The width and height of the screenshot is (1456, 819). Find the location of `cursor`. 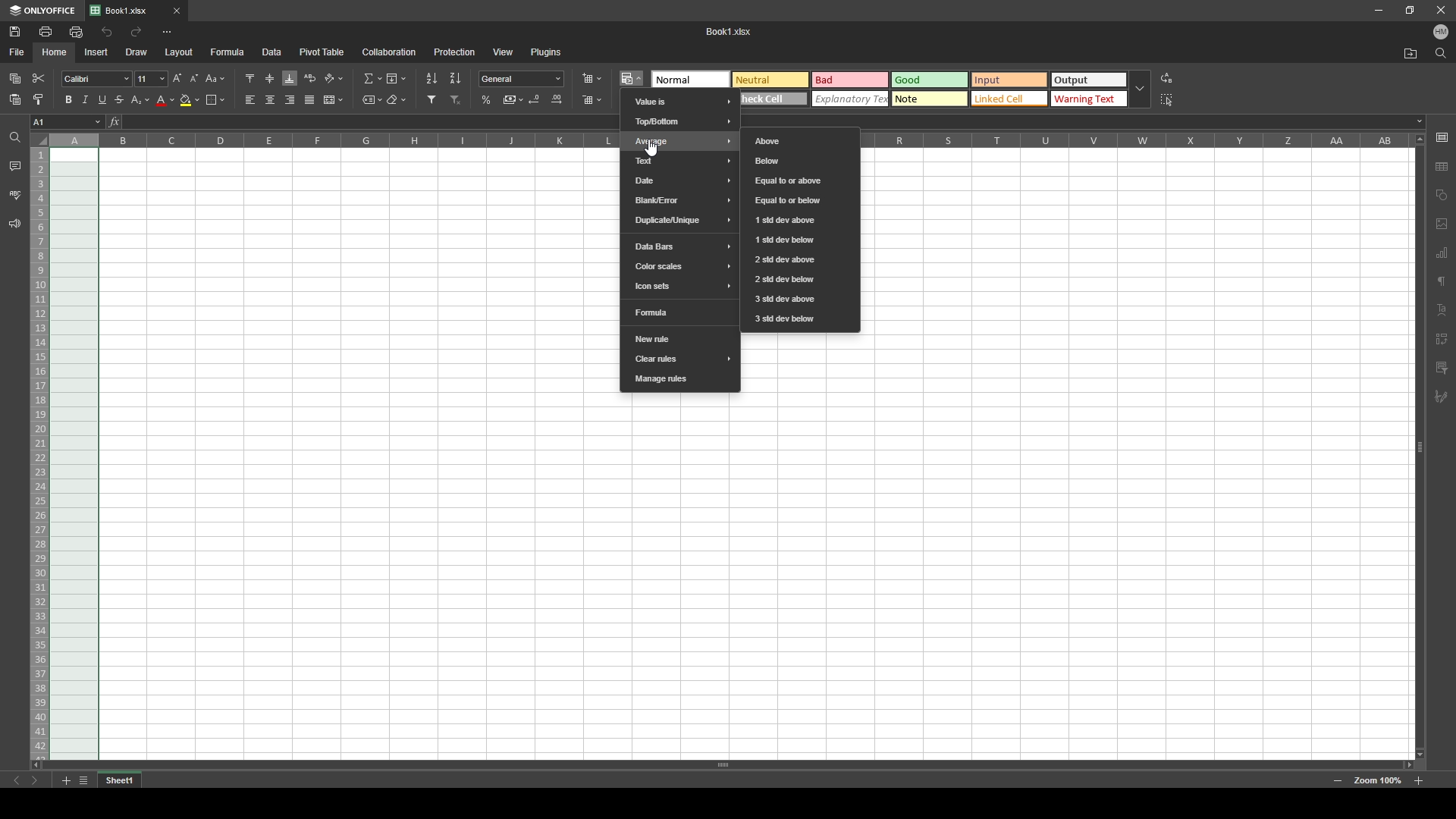

cursor is located at coordinates (633, 83).